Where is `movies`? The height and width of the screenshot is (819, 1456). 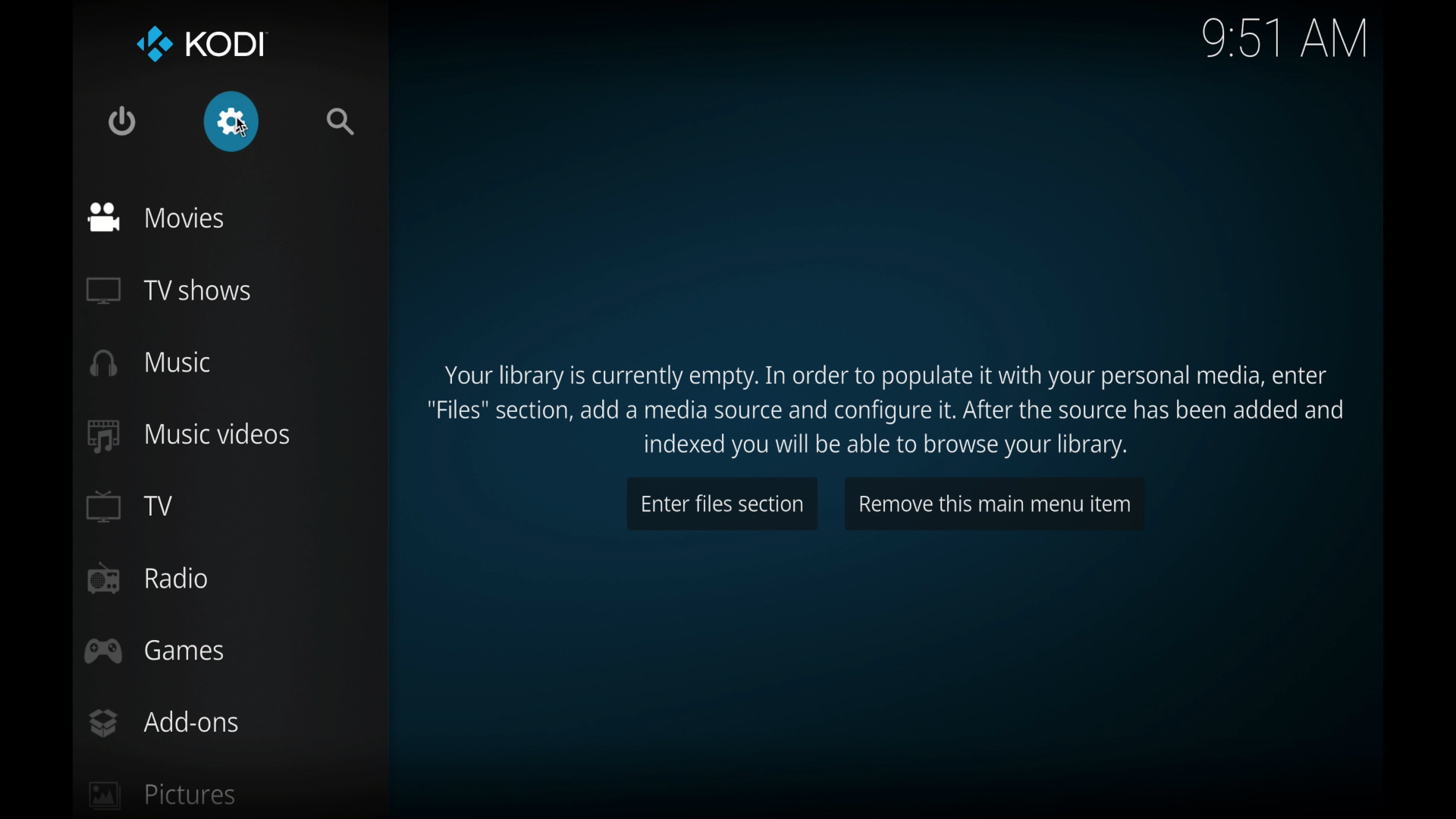
movies is located at coordinates (158, 218).